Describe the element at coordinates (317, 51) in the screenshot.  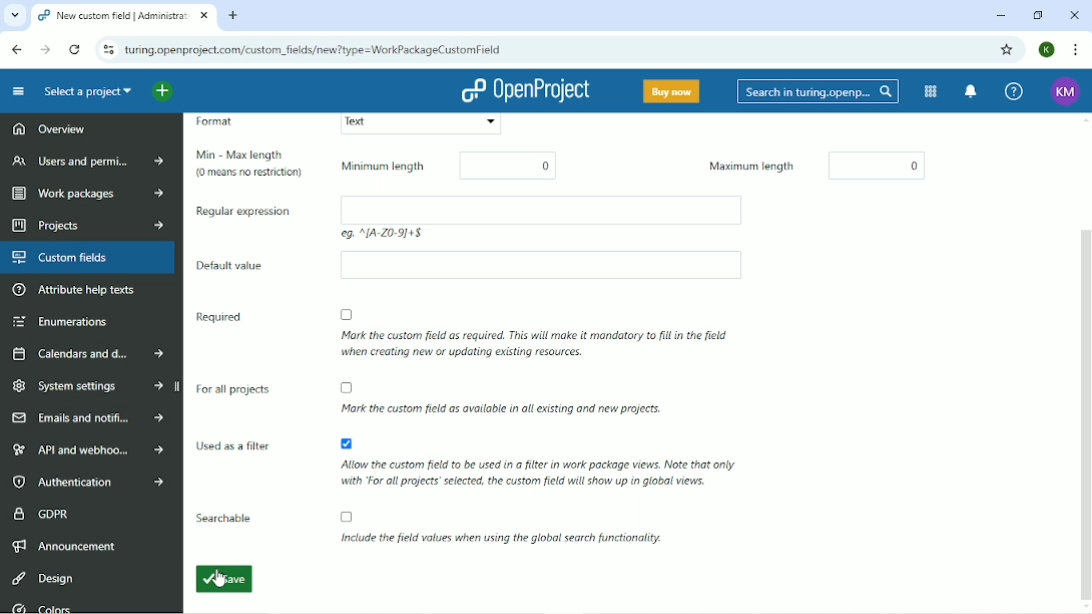
I see `turing.openproject.com/projects/dd/settings/custom_fields` at that location.